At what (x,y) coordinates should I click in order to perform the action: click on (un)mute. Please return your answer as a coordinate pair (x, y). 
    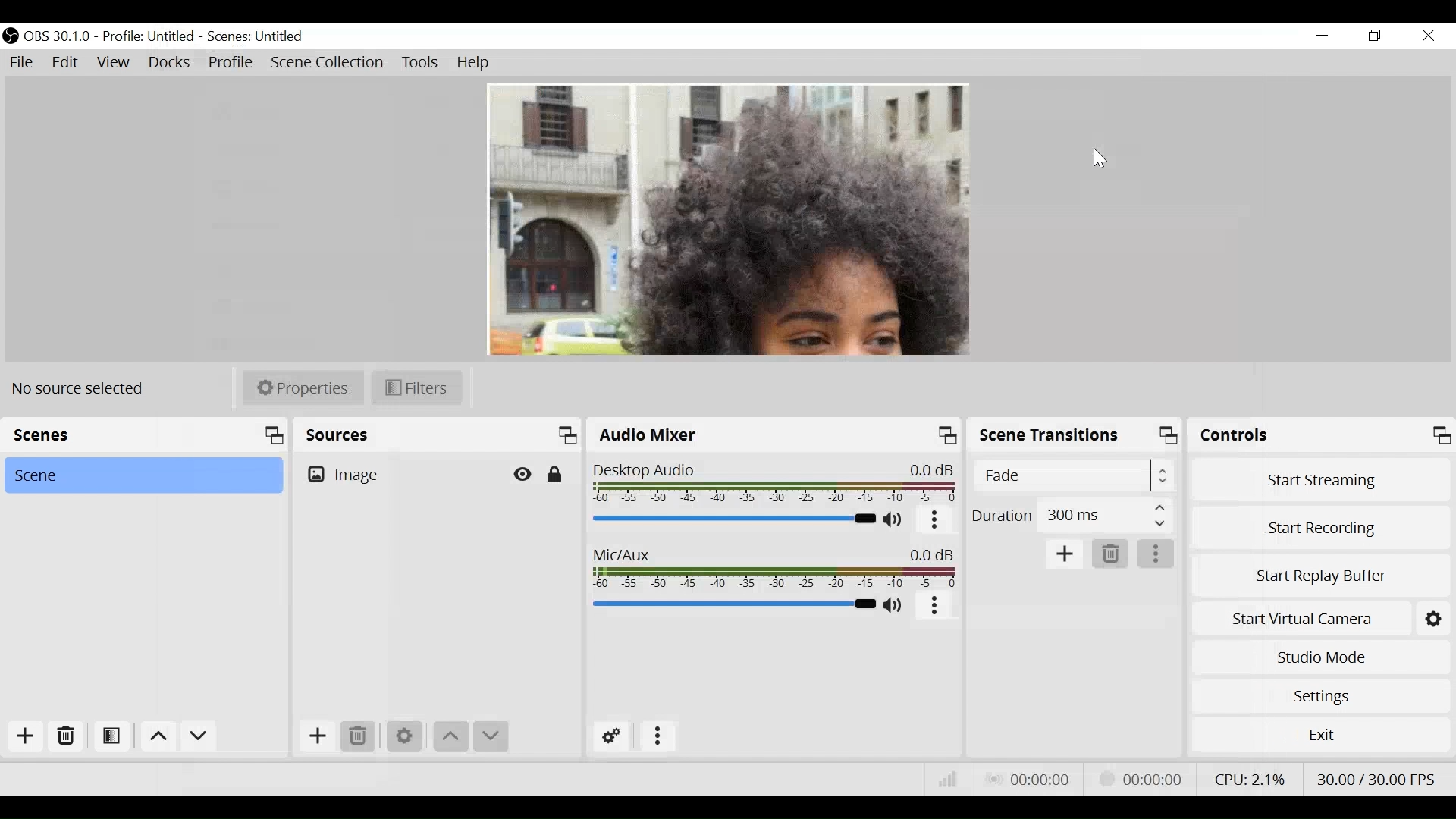
    Looking at the image, I should click on (894, 605).